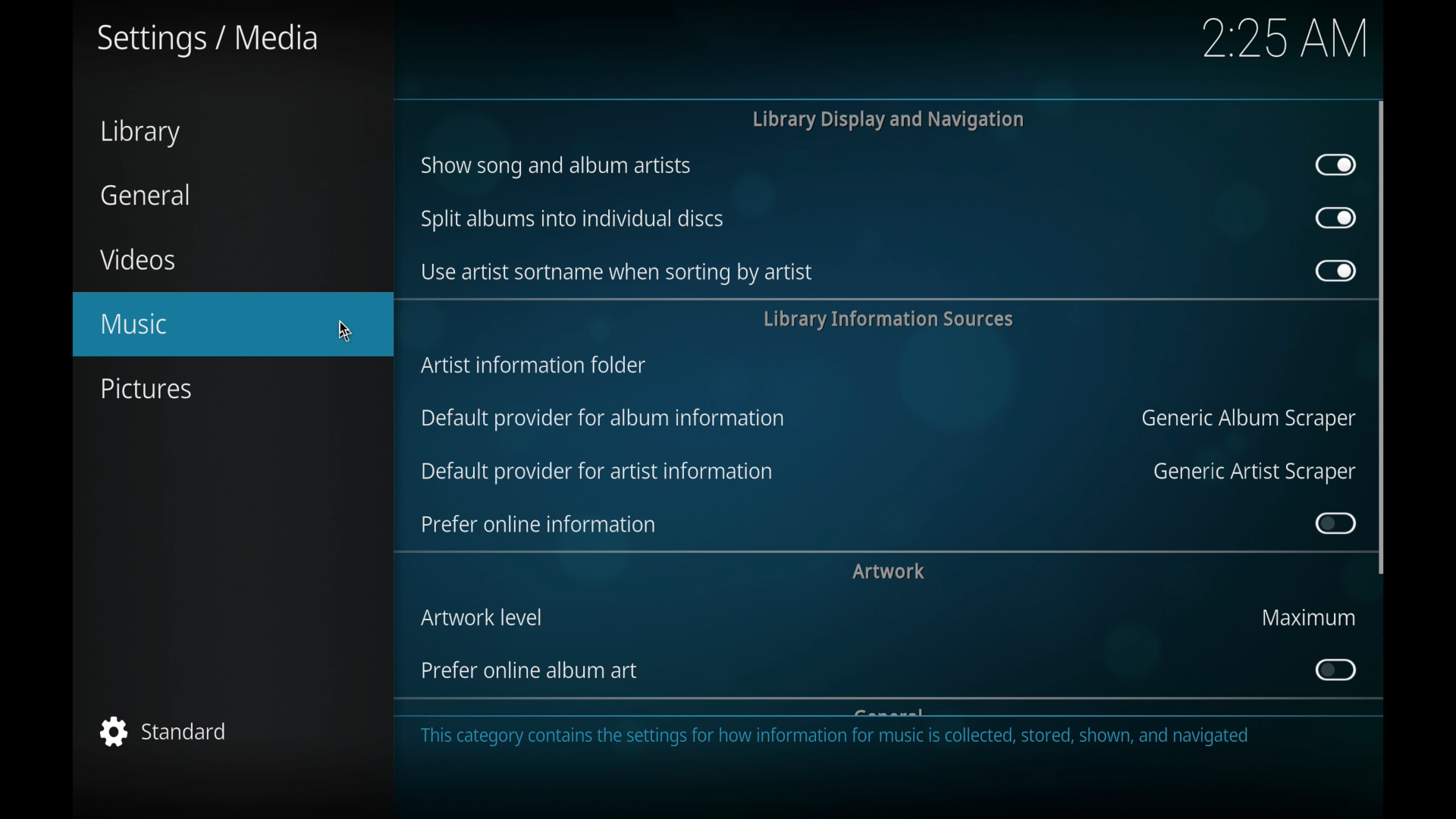 The width and height of the screenshot is (1456, 819). What do you see at coordinates (233, 325) in the screenshot?
I see `music` at bounding box center [233, 325].